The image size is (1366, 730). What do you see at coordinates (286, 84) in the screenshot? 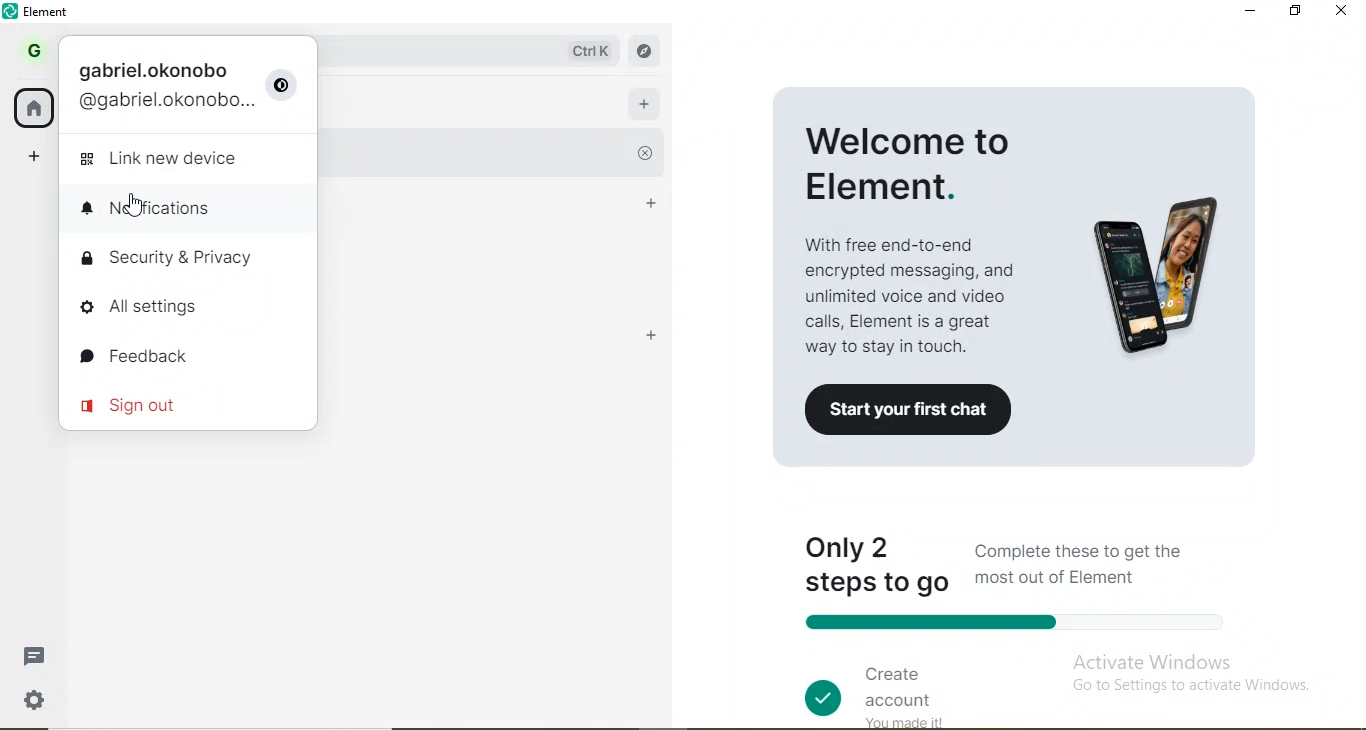
I see `user settings` at bounding box center [286, 84].